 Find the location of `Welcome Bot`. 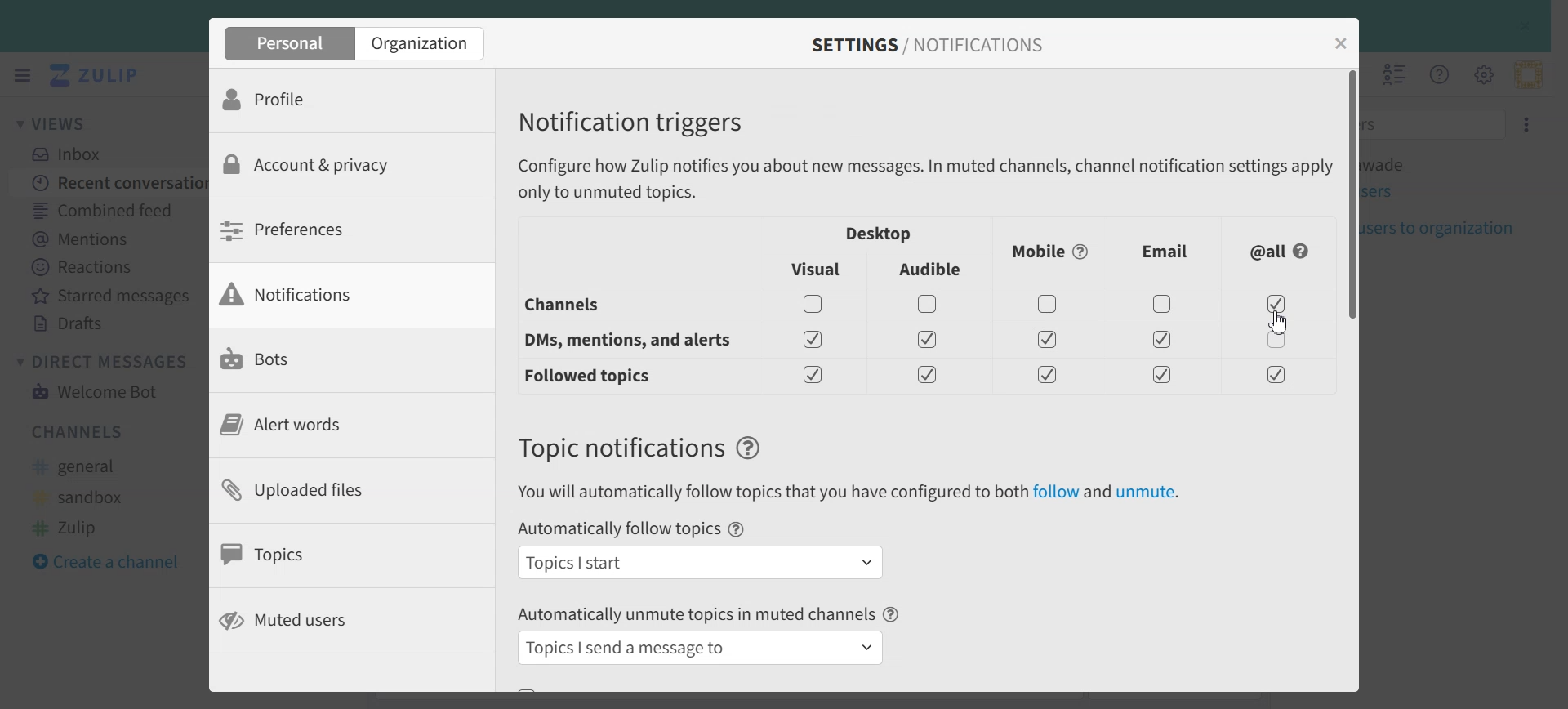

Welcome Bot is located at coordinates (95, 390).